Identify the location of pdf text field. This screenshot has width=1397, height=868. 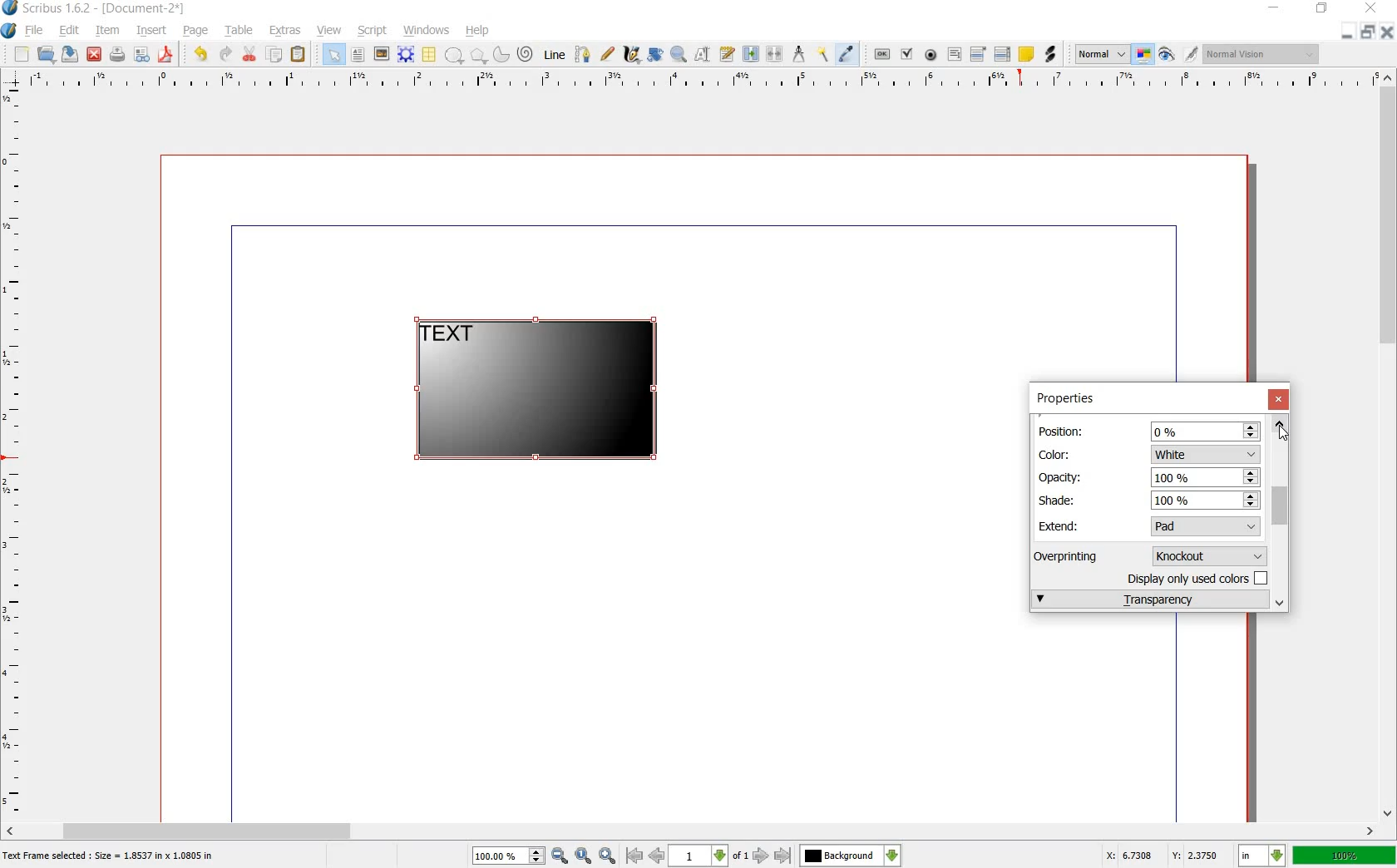
(954, 54).